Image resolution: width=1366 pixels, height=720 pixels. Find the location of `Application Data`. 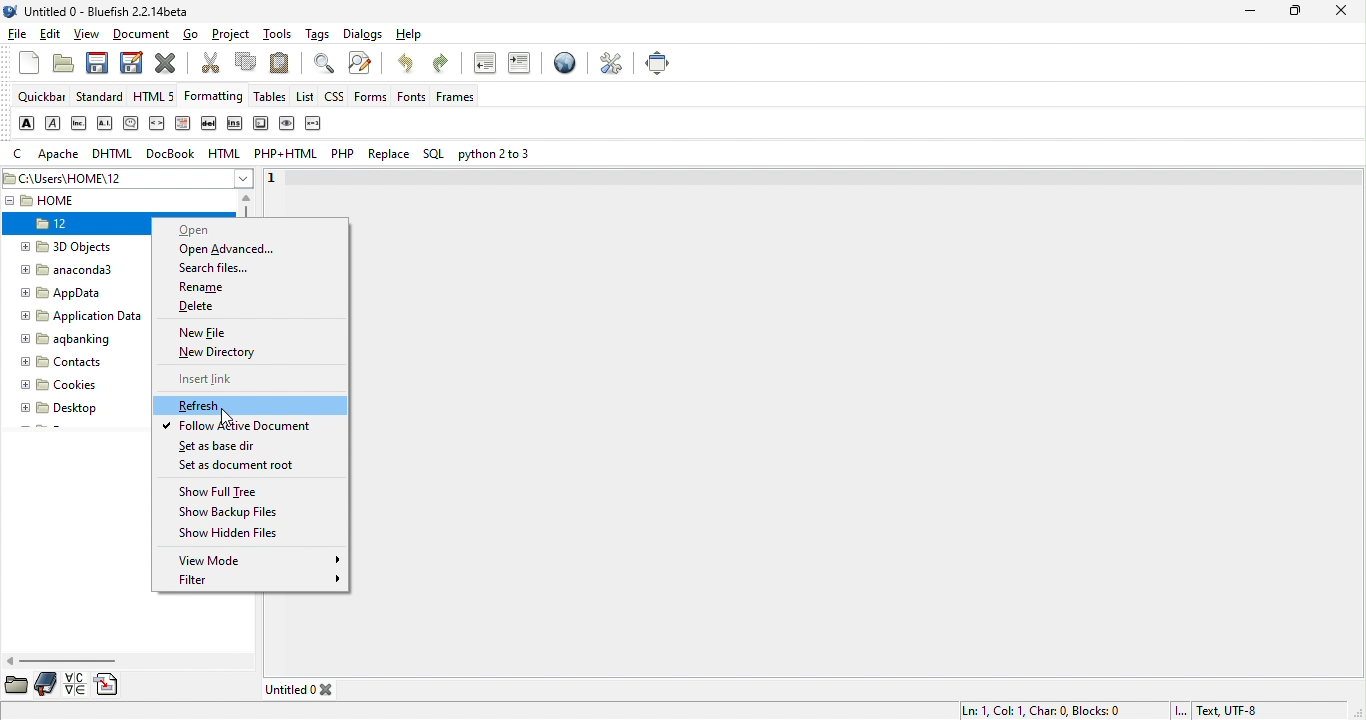

Application Data is located at coordinates (80, 319).